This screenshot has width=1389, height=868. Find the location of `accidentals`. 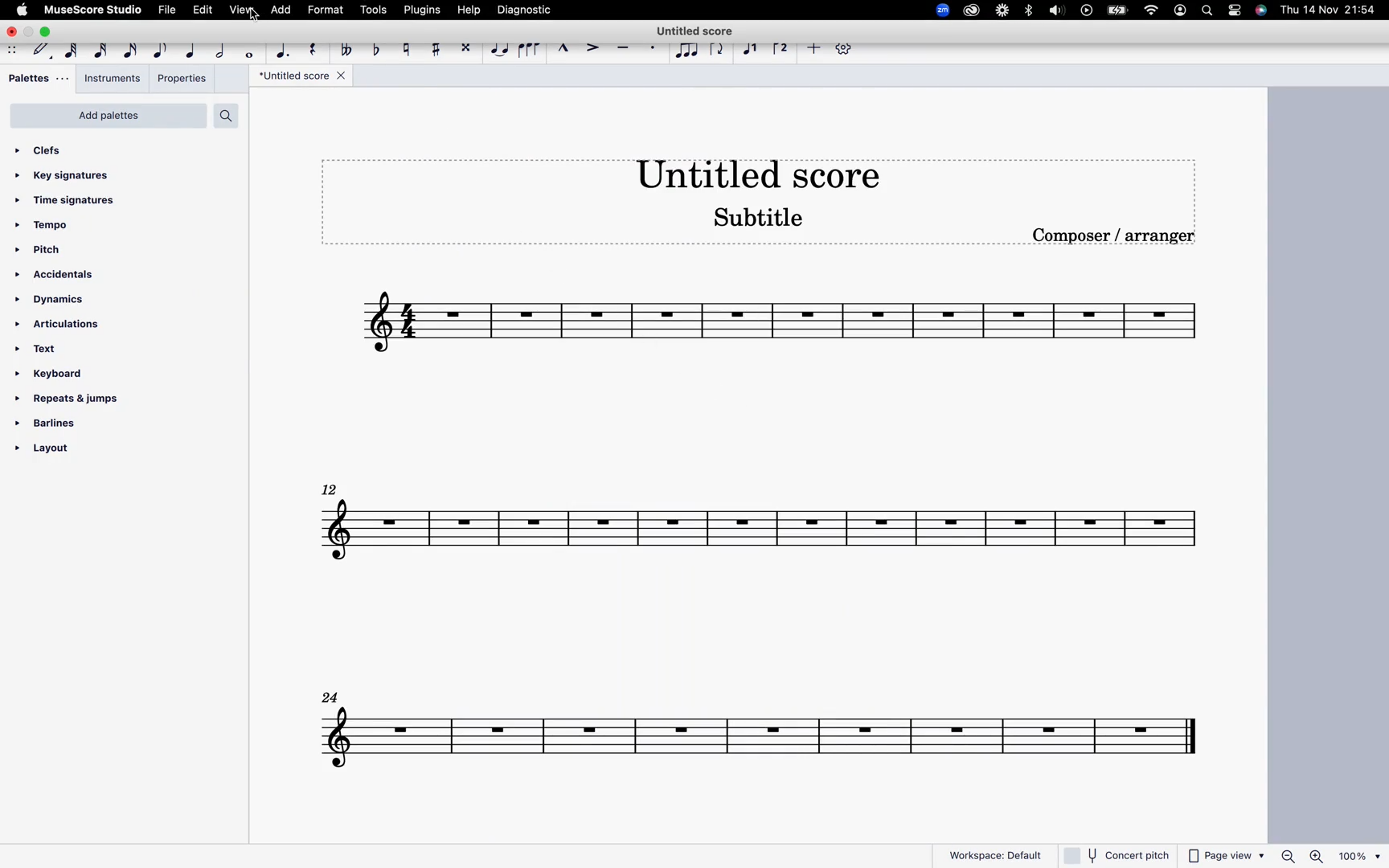

accidentals is located at coordinates (60, 274).